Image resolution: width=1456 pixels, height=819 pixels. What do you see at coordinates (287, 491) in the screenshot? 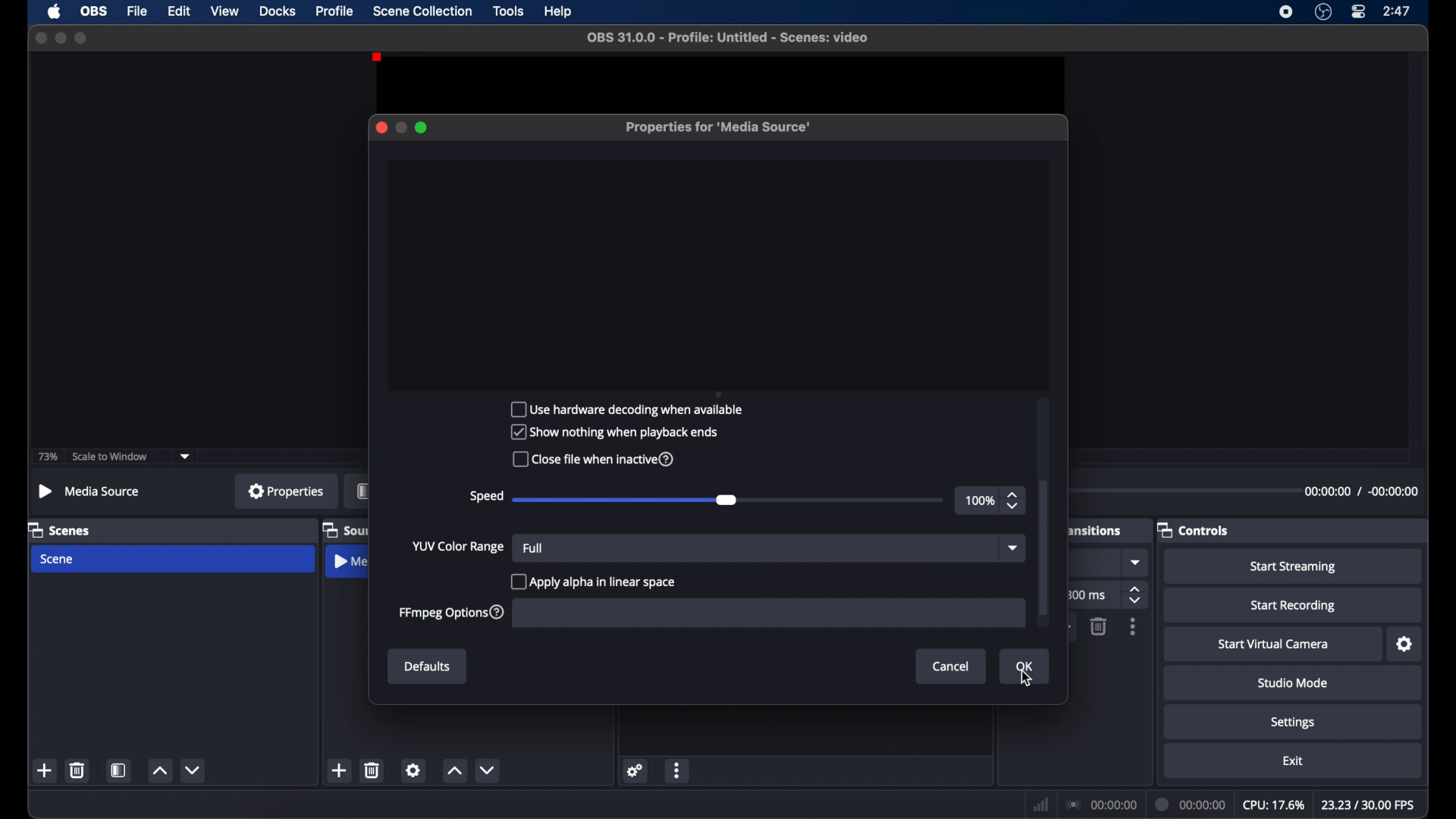
I see `properties` at bounding box center [287, 491].